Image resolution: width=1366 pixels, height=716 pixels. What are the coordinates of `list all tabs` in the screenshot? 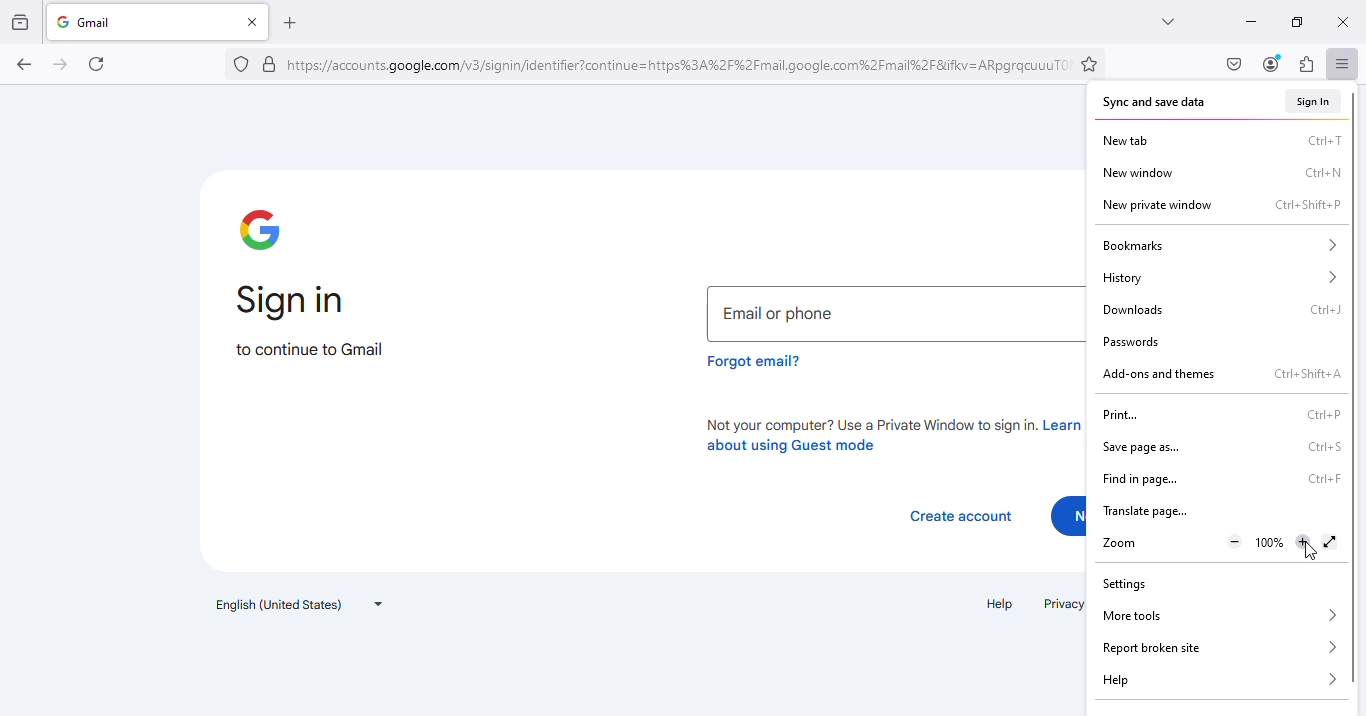 It's located at (1169, 22).